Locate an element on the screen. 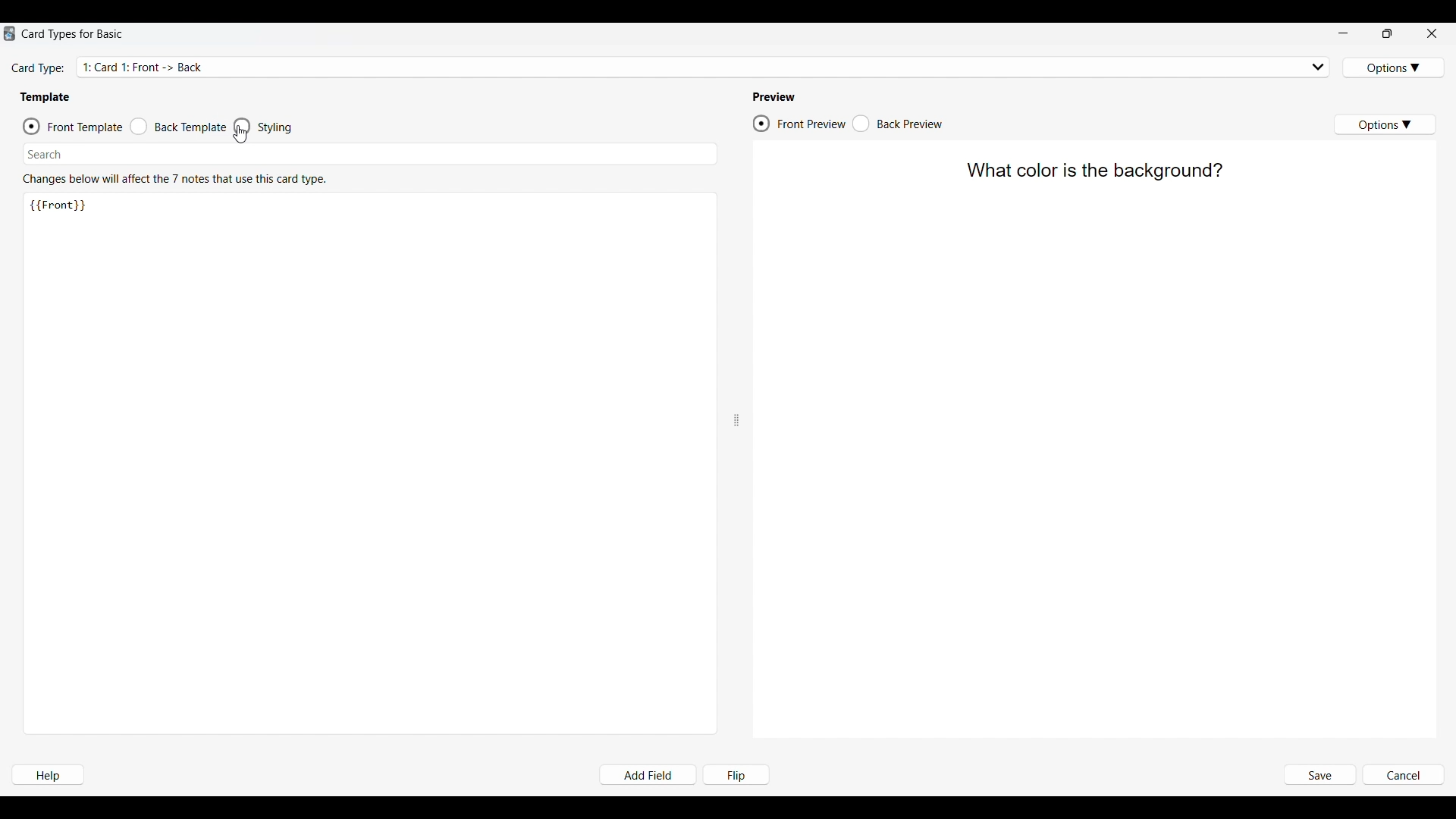 This screenshot has height=819, width=1456. Help is located at coordinates (47, 775).